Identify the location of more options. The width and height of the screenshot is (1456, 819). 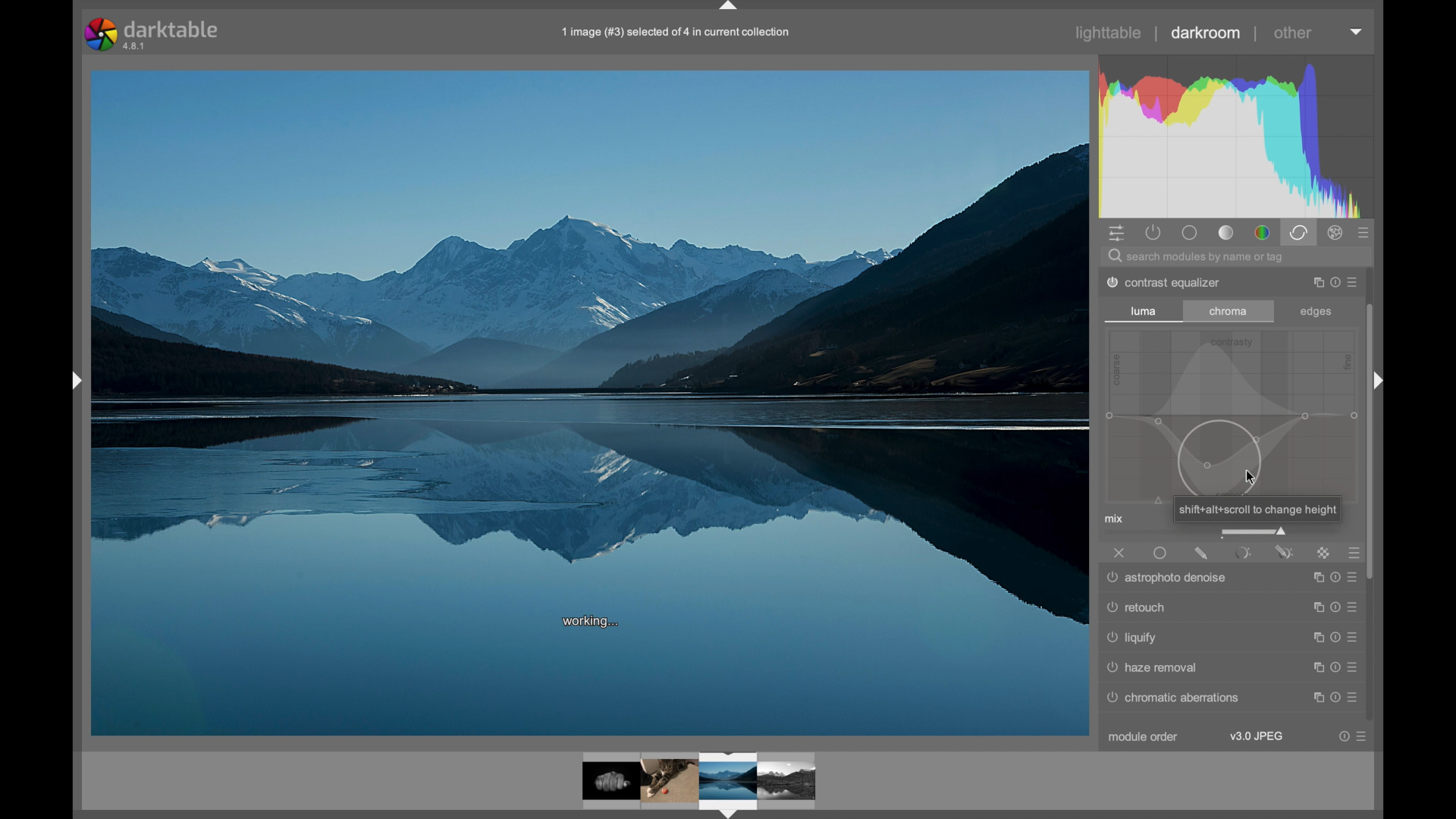
(1332, 608).